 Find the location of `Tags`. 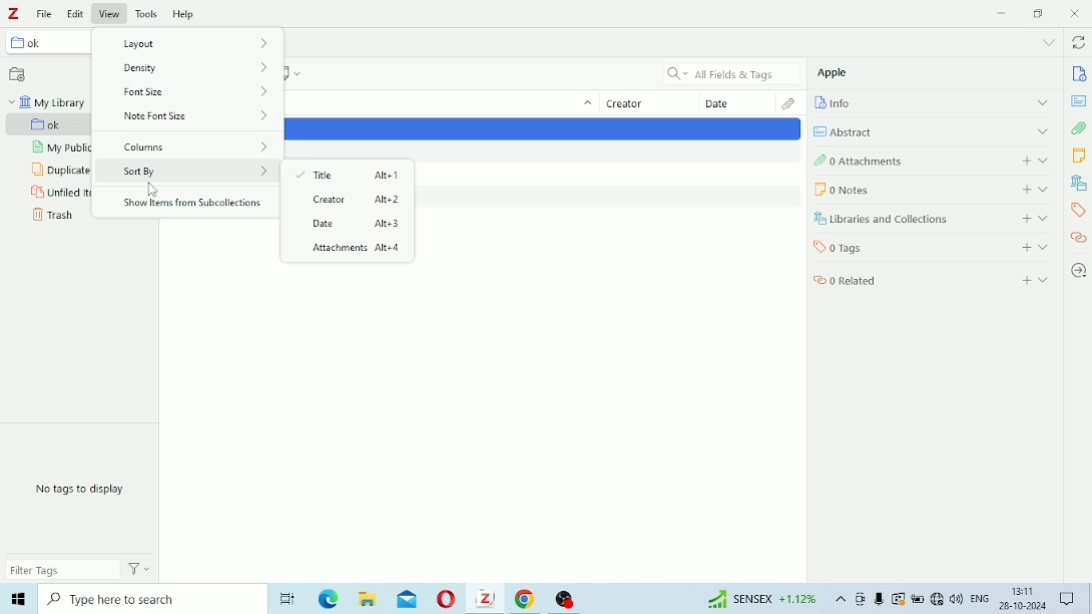

Tags is located at coordinates (1078, 212).